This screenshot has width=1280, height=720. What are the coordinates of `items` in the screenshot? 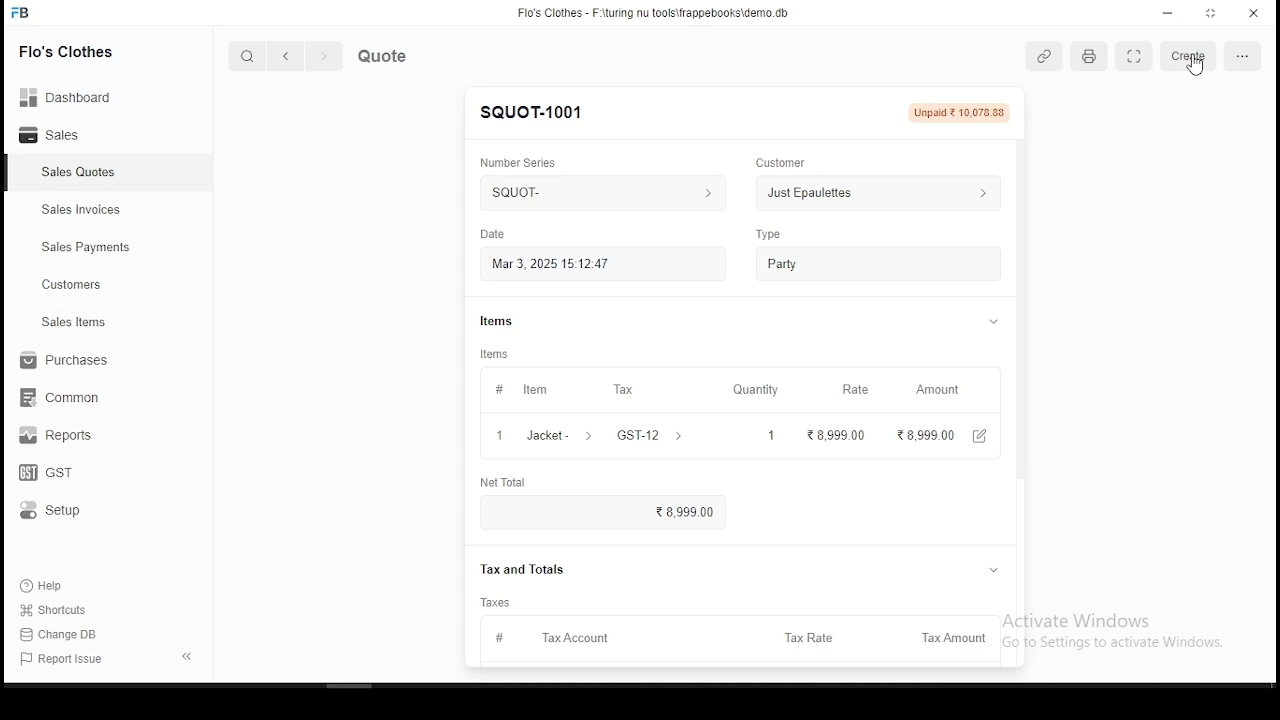 It's located at (511, 316).